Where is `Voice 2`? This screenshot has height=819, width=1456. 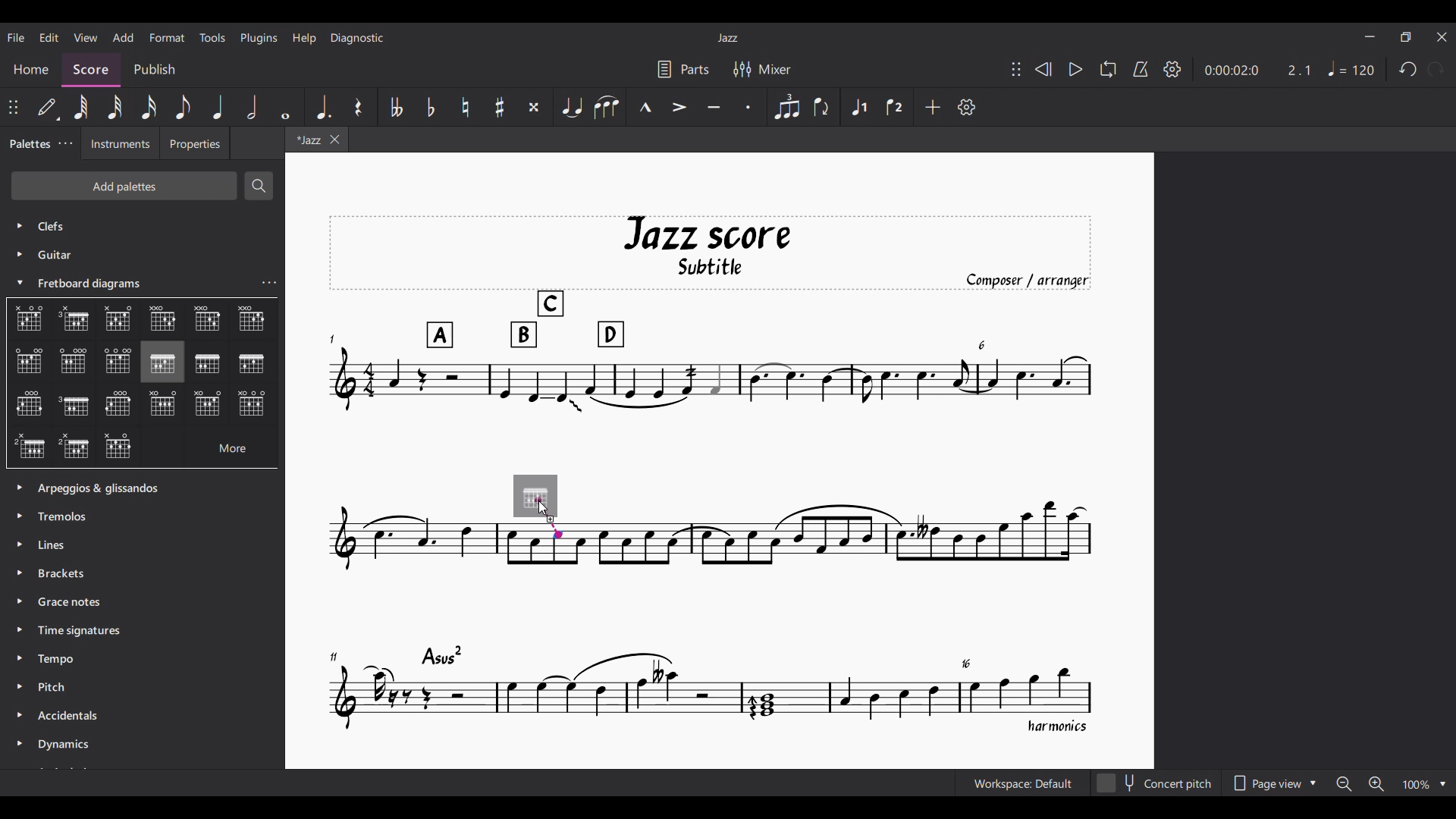
Voice 2 is located at coordinates (896, 107).